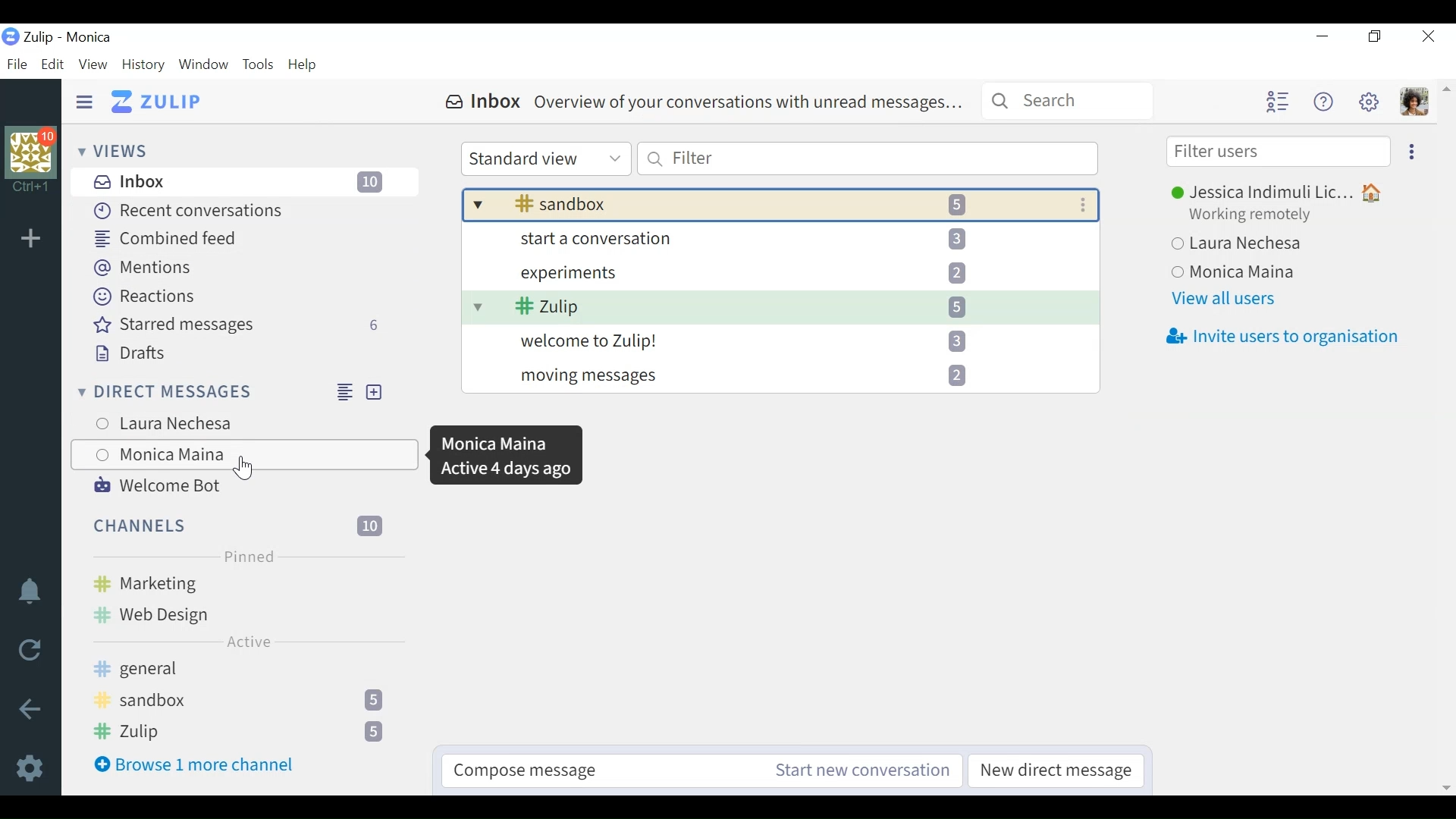 Image resolution: width=1456 pixels, height=819 pixels. Describe the element at coordinates (545, 160) in the screenshot. I see `Standard view` at that location.